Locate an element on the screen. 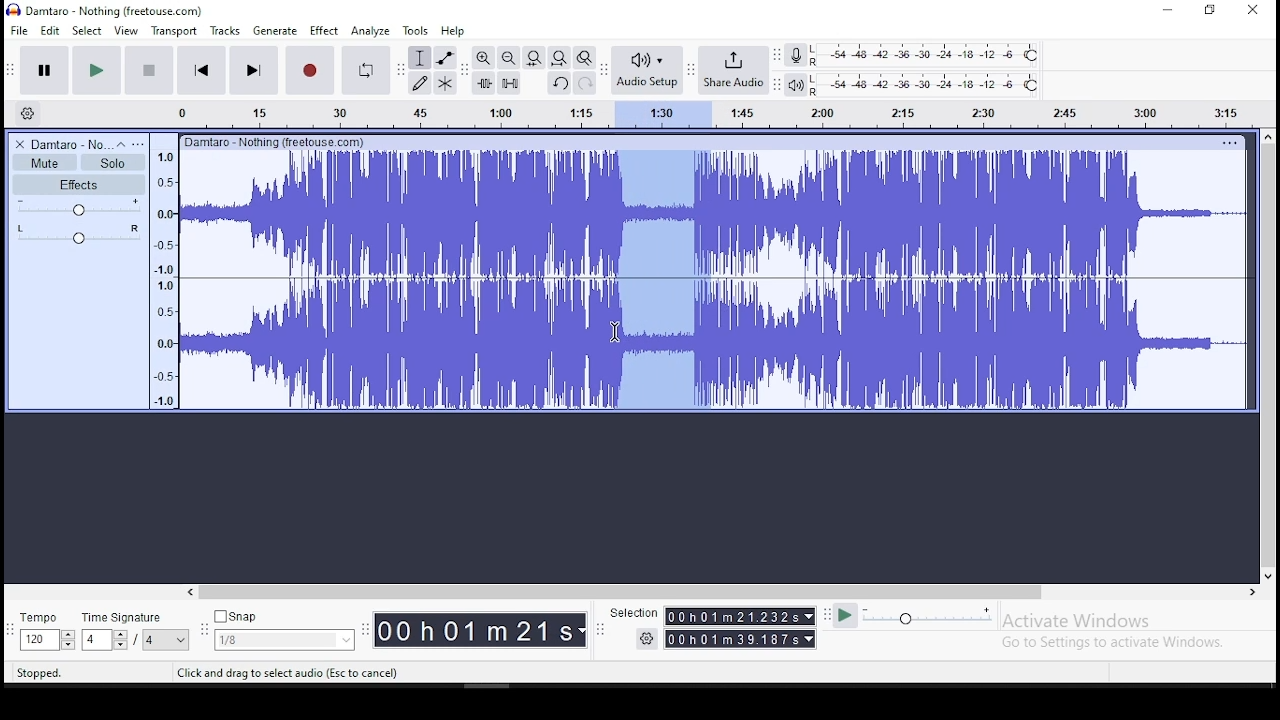  time signature is located at coordinates (135, 617).